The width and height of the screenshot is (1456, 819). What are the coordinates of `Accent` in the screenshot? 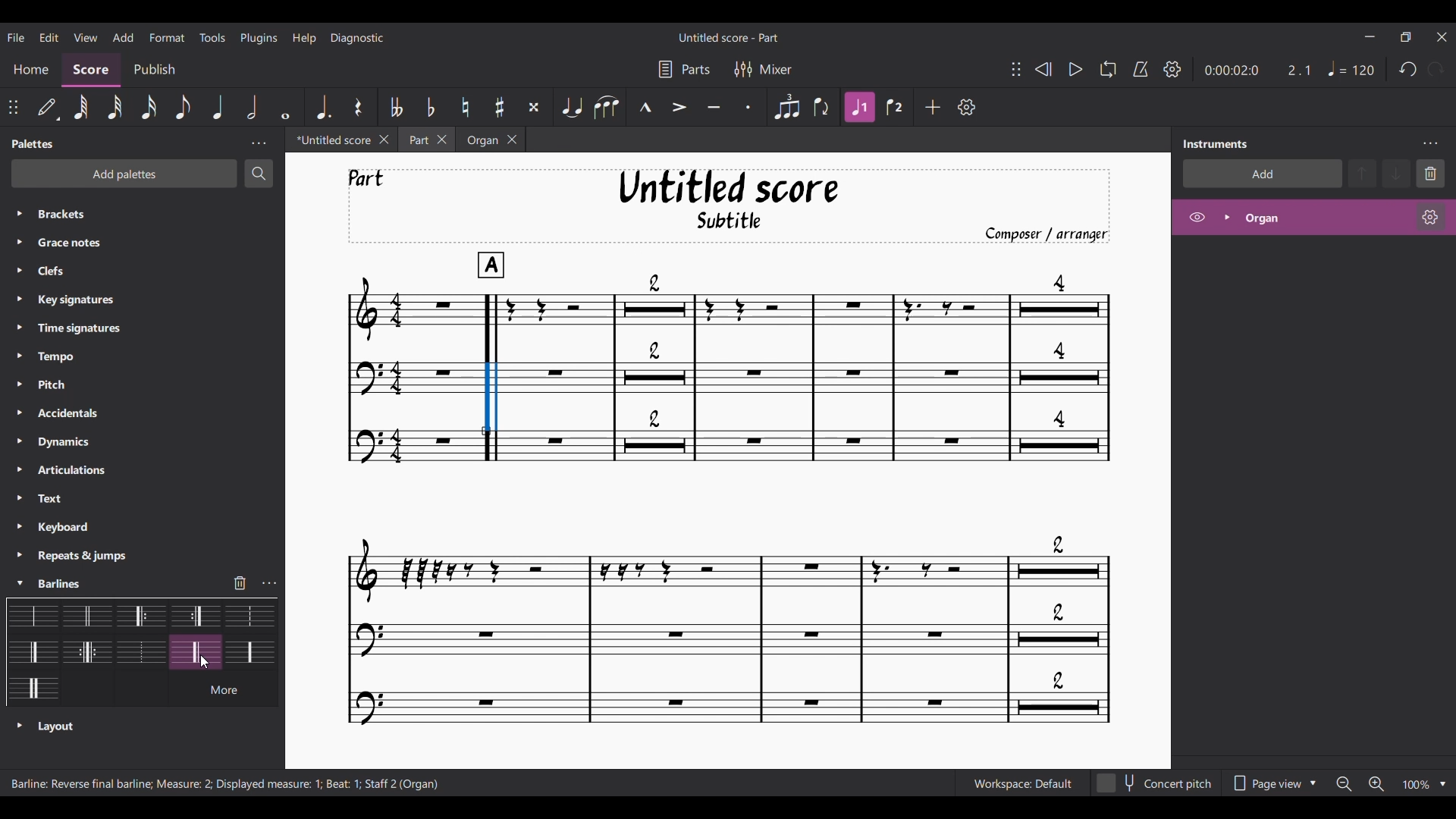 It's located at (679, 107).